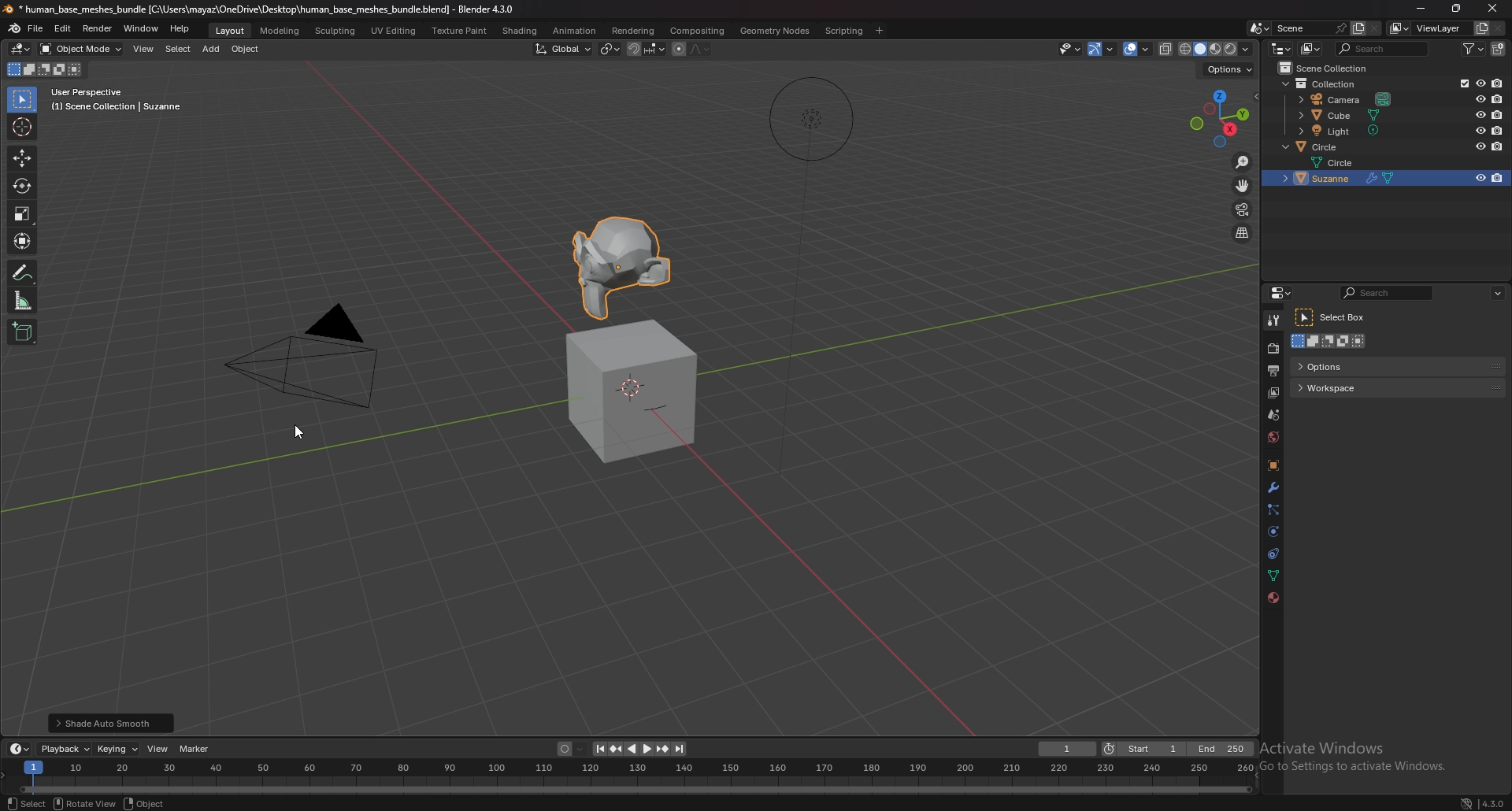  Describe the element at coordinates (23, 802) in the screenshot. I see `select` at that location.